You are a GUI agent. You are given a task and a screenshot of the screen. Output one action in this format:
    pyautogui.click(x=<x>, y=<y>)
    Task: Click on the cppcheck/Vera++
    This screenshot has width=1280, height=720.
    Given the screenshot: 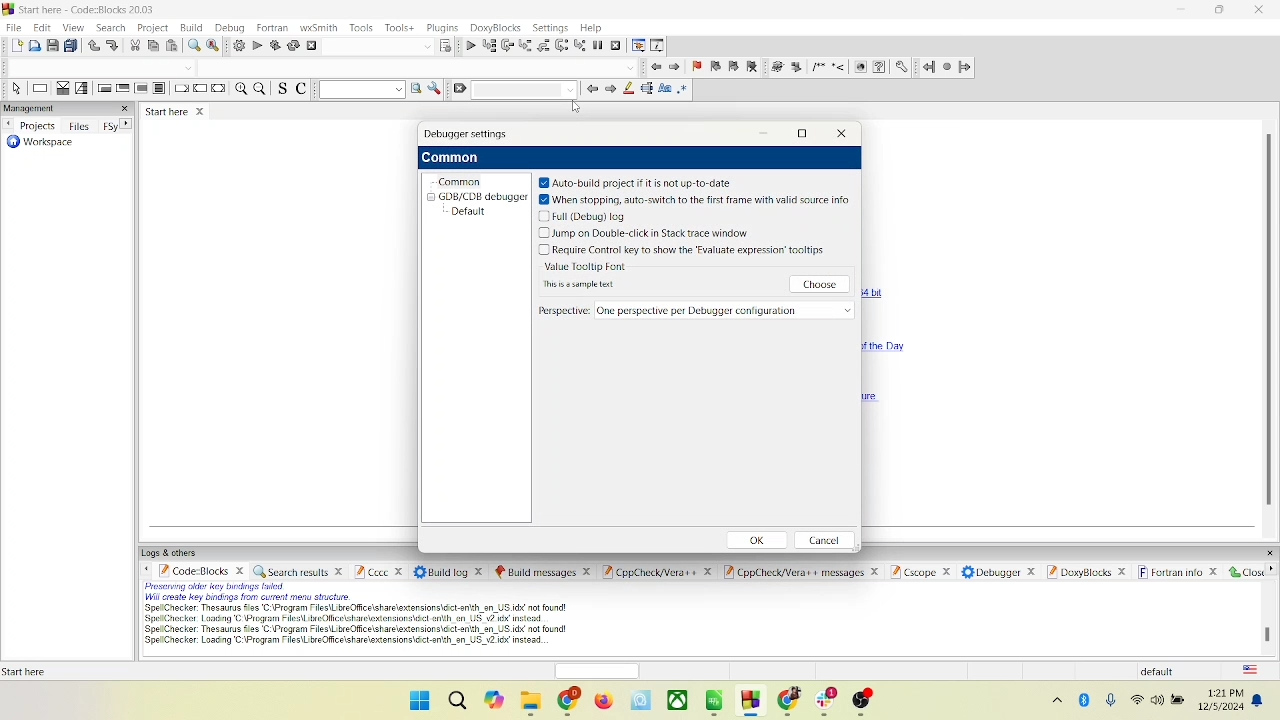 What is the action you would take?
    pyautogui.click(x=660, y=573)
    